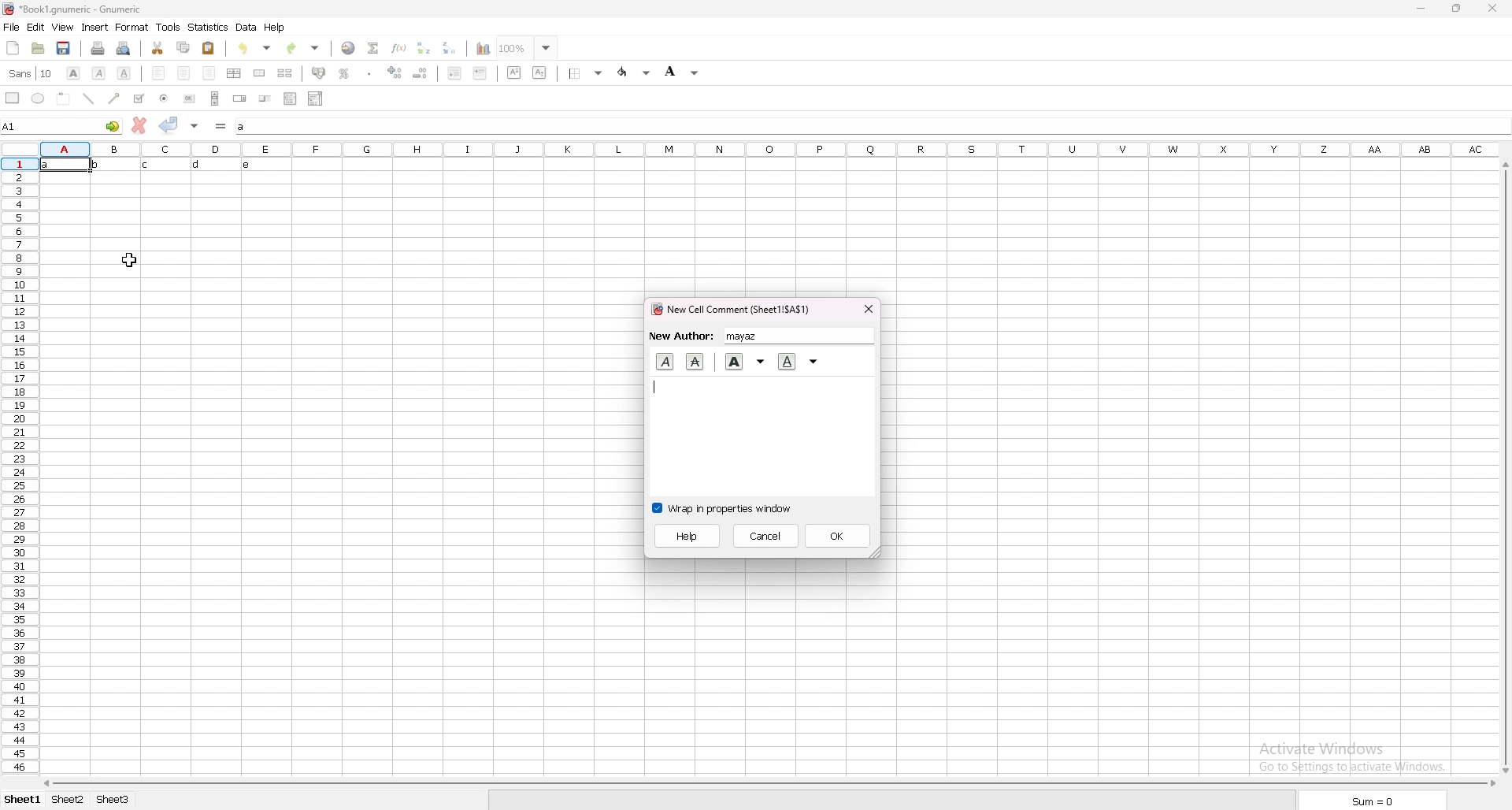 The width and height of the screenshot is (1512, 810). I want to click on spin button, so click(239, 98).